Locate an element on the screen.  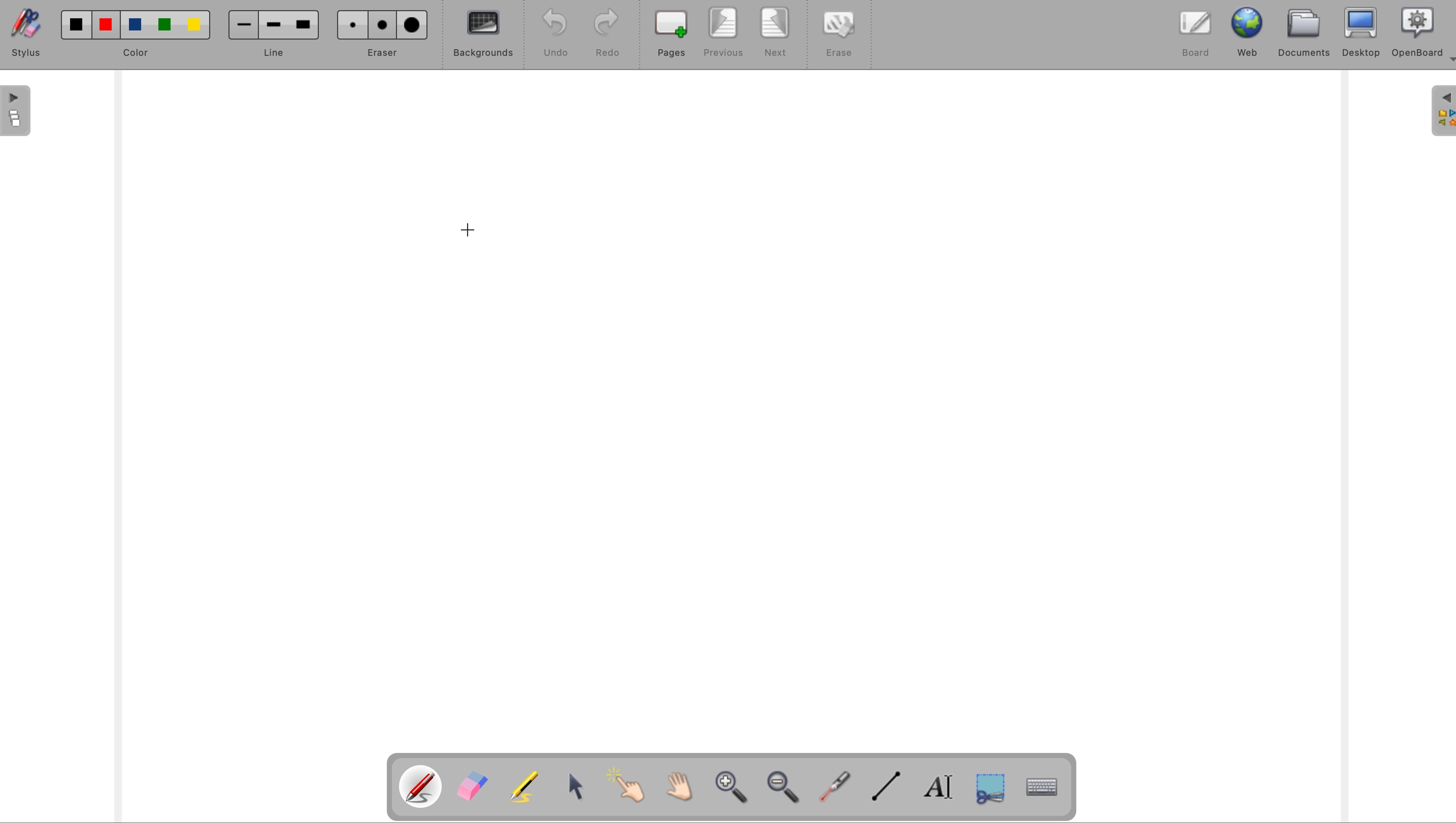
zoom in is located at coordinates (731, 790).